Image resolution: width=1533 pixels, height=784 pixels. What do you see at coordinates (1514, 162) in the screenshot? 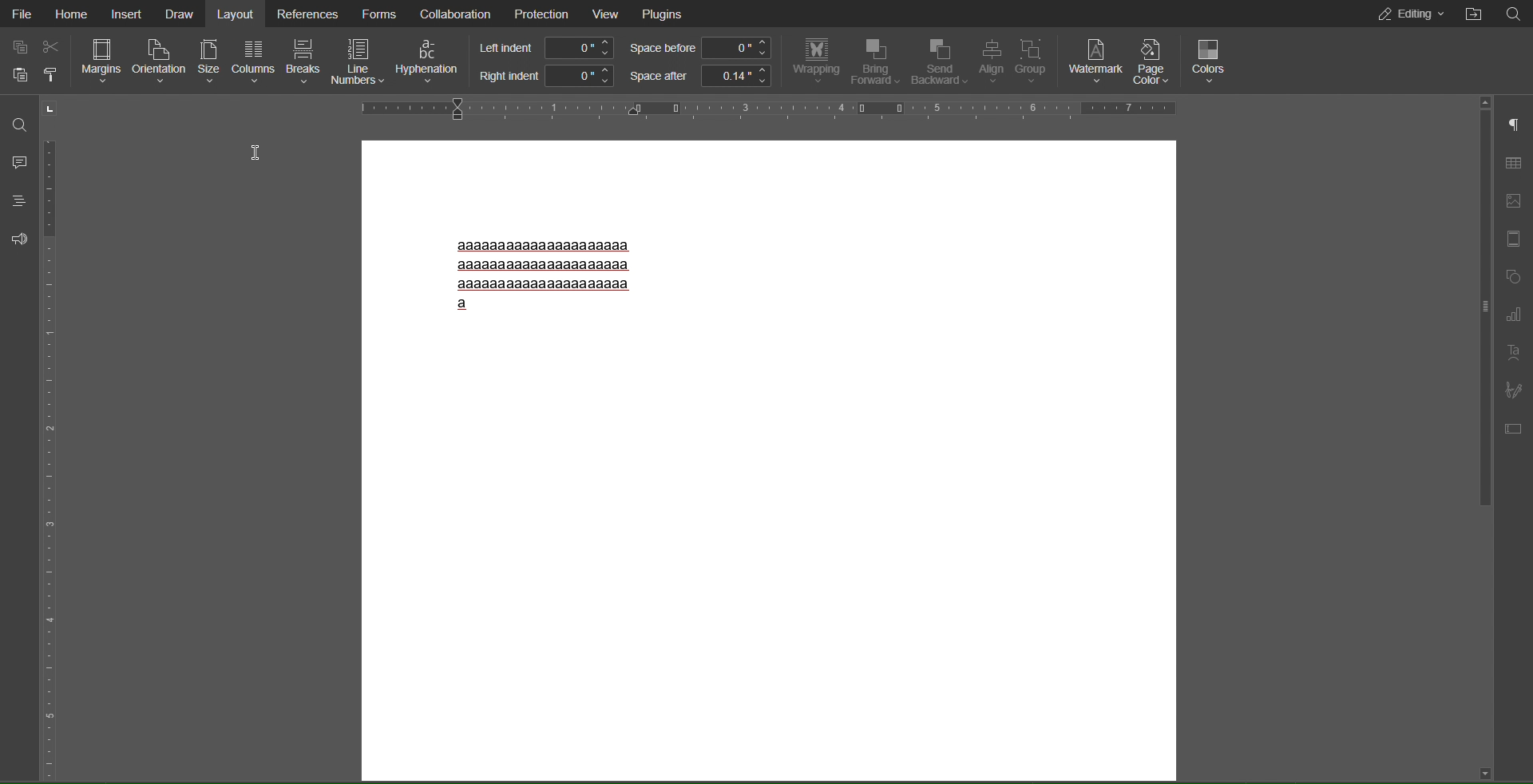
I see `Table Settings` at bounding box center [1514, 162].